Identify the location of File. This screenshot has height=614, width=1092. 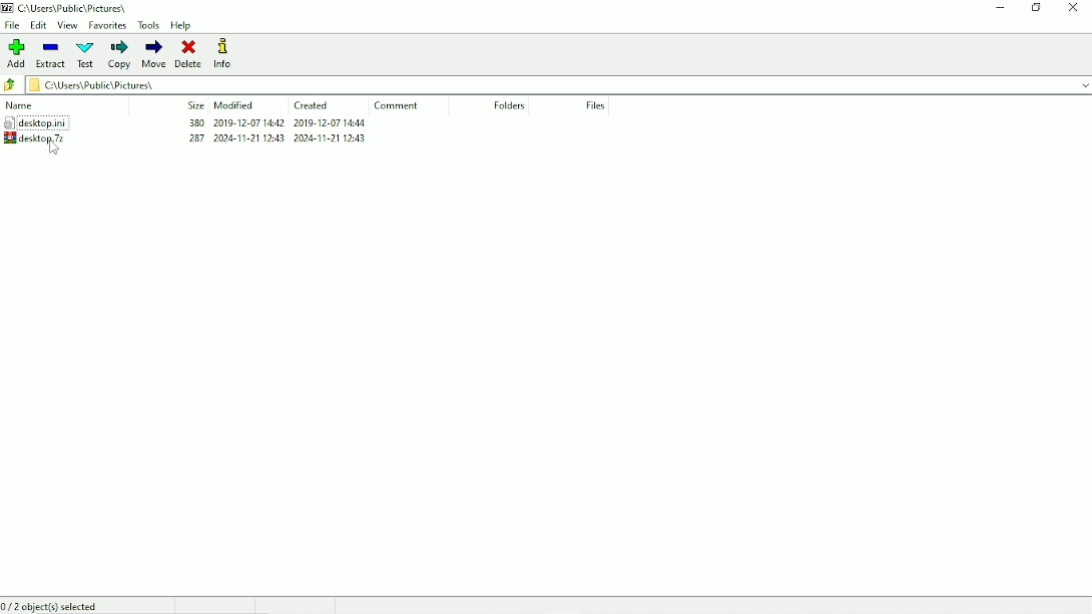
(12, 25).